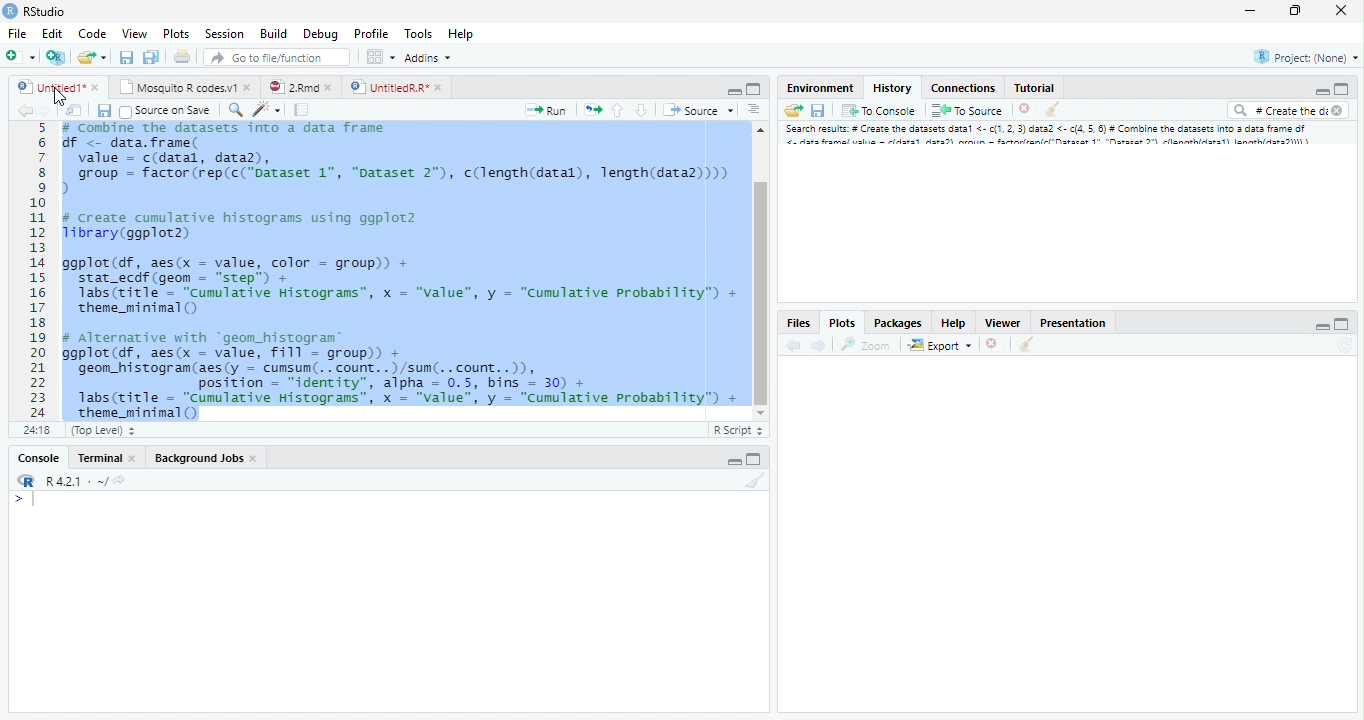  Describe the element at coordinates (1308, 57) in the screenshot. I see `Project (None)` at that location.